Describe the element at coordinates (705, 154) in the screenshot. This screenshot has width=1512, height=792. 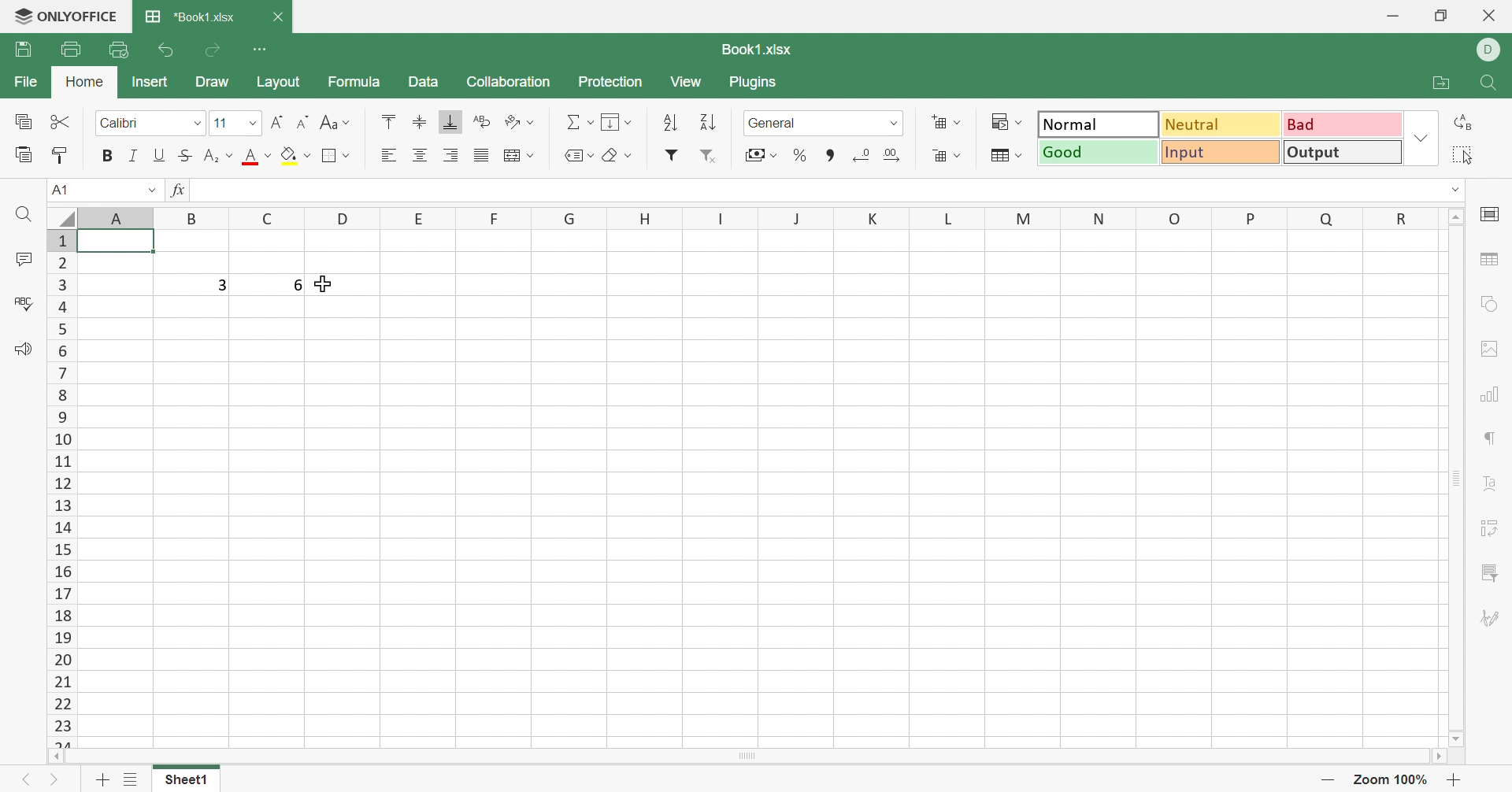
I see `Remove filter` at that location.